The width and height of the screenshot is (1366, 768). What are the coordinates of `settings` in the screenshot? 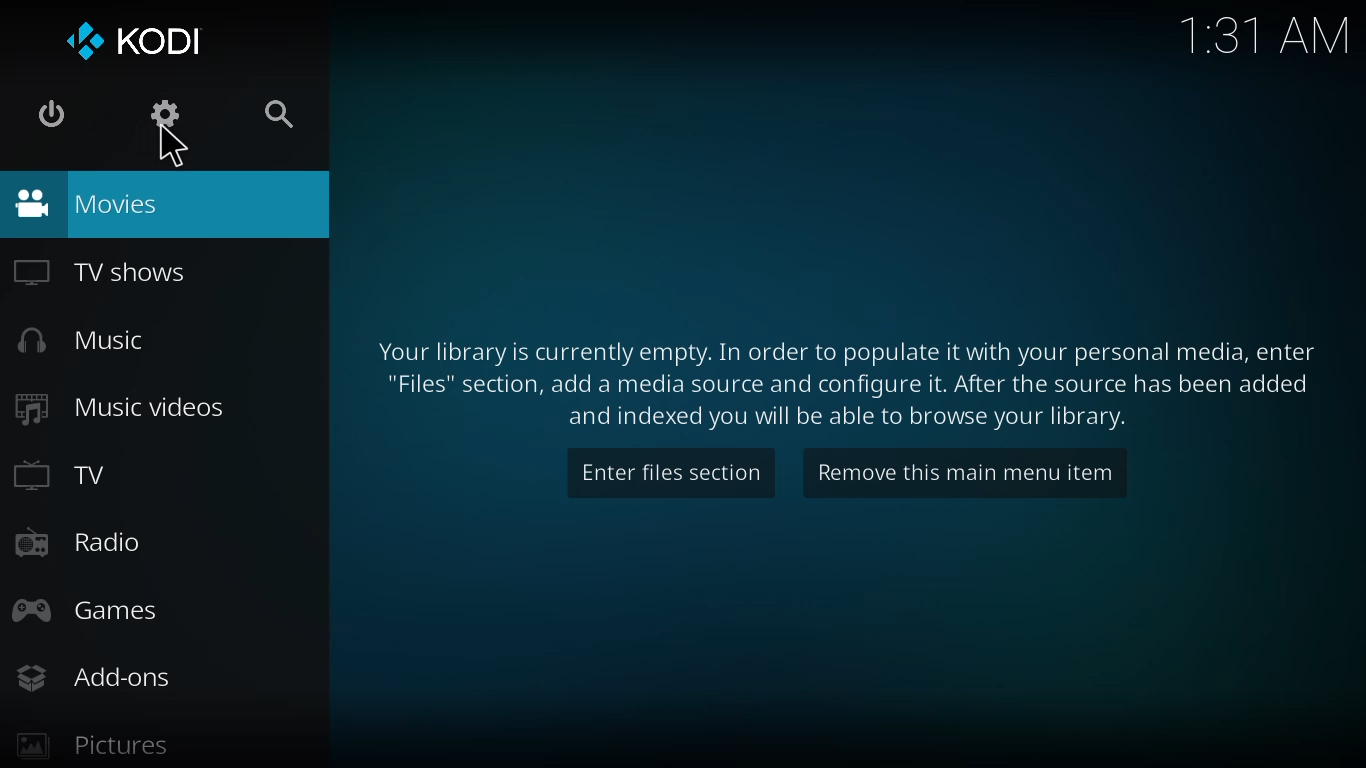 It's located at (168, 114).